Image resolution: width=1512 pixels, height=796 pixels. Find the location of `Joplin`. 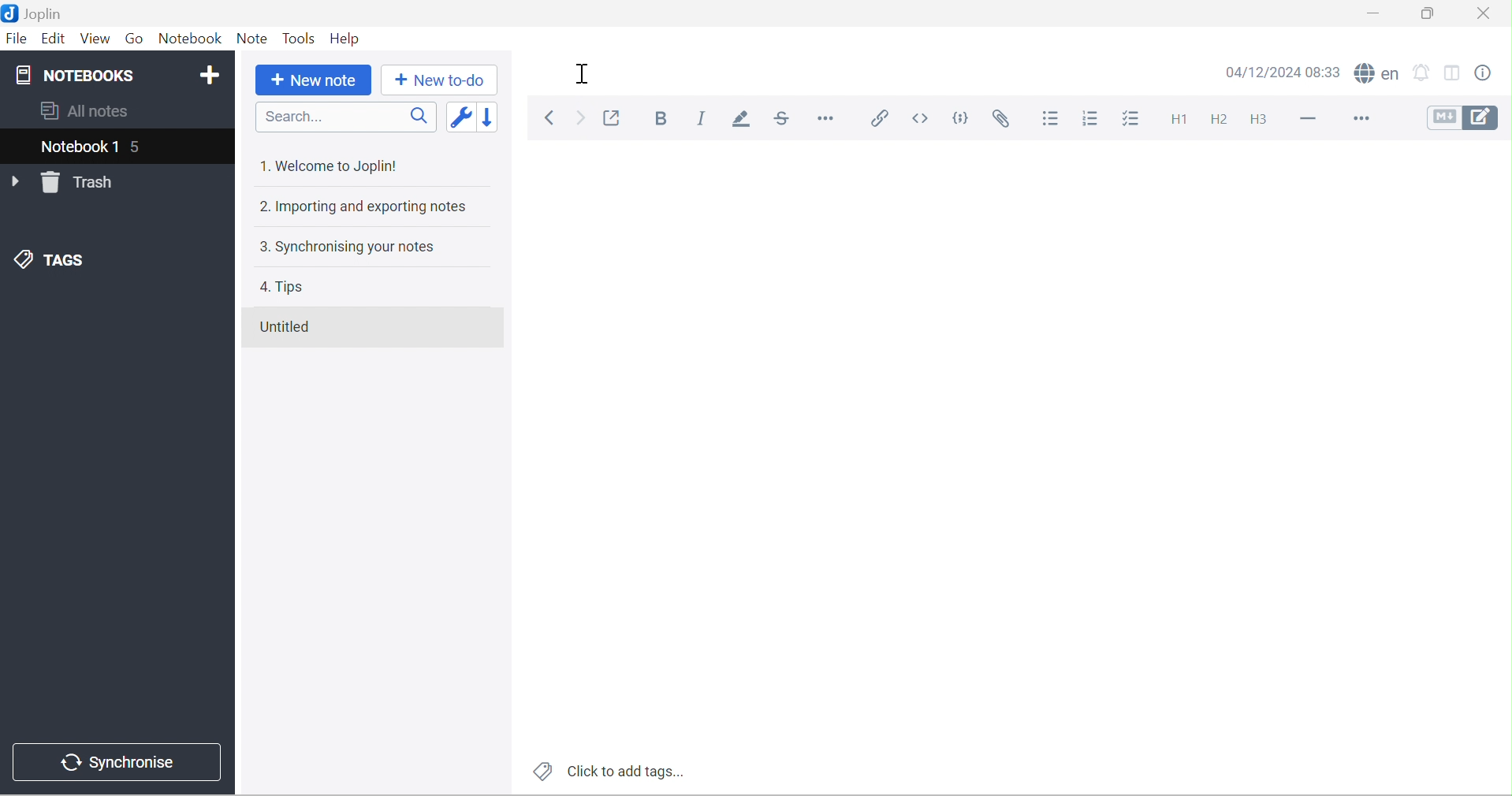

Joplin is located at coordinates (35, 13).